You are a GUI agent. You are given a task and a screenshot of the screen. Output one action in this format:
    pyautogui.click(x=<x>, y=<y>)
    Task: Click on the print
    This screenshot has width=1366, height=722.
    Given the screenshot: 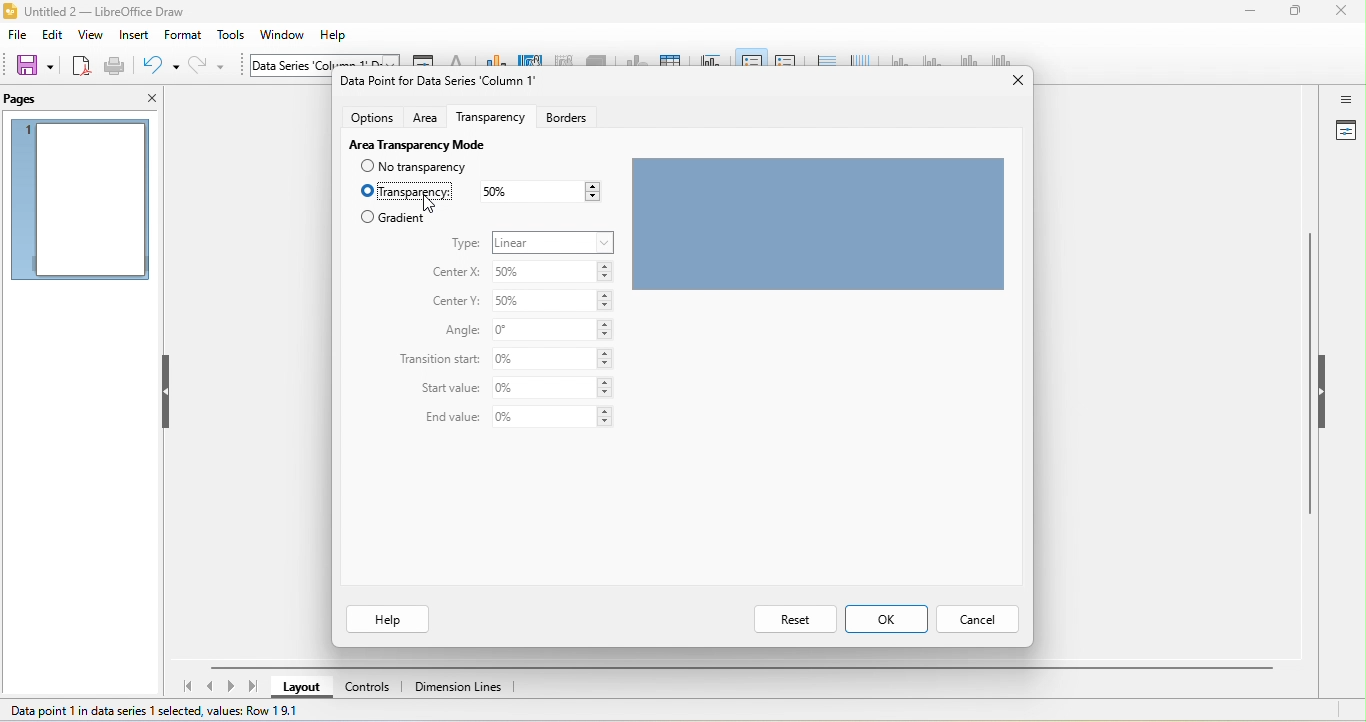 What is the action you would take?
    pyautogui.click(x=115, y=68)
    